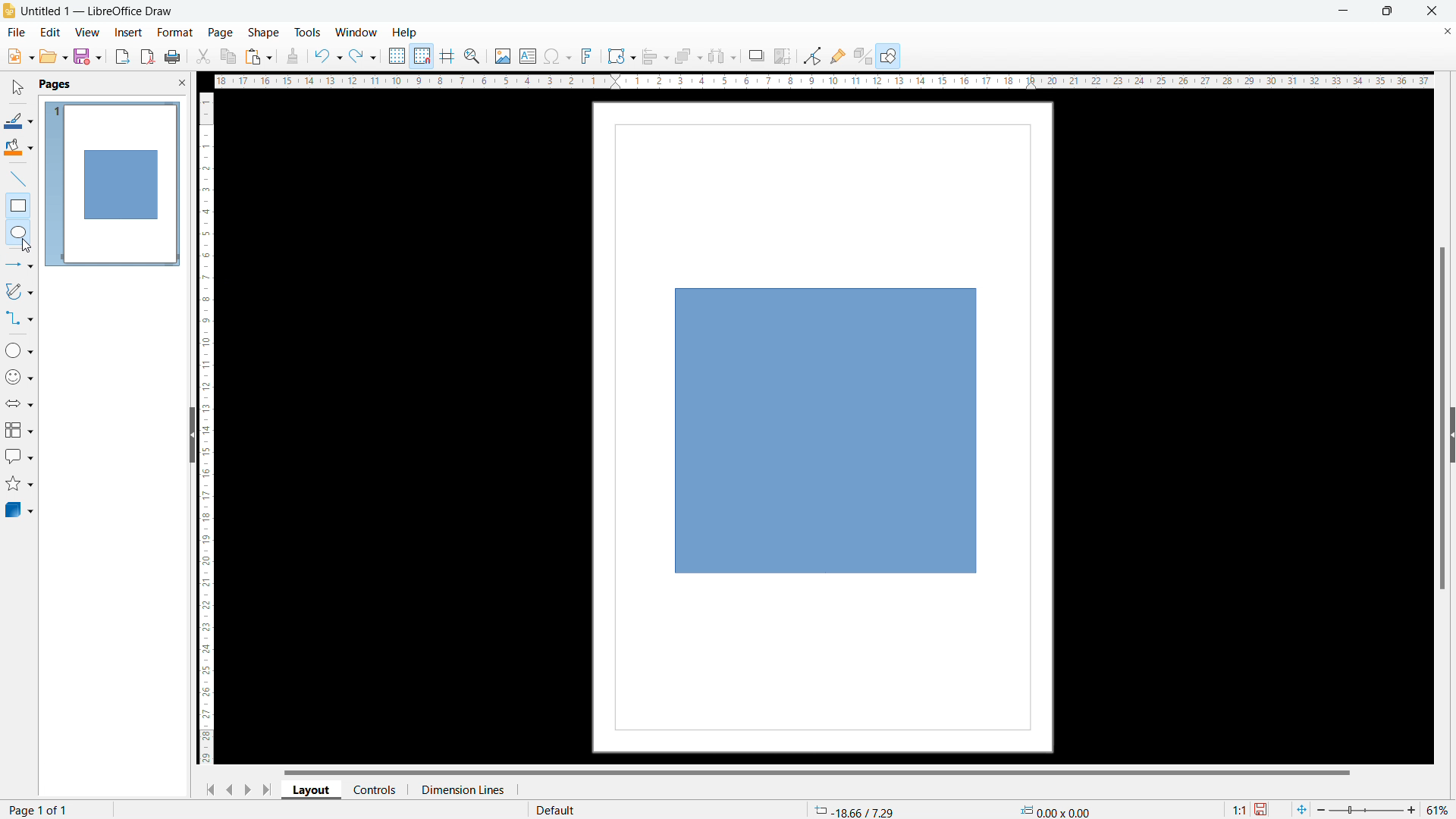 Image resolution: width=1456 pixels, height=819 pixels. I want to click on crop, so click(783, 56).